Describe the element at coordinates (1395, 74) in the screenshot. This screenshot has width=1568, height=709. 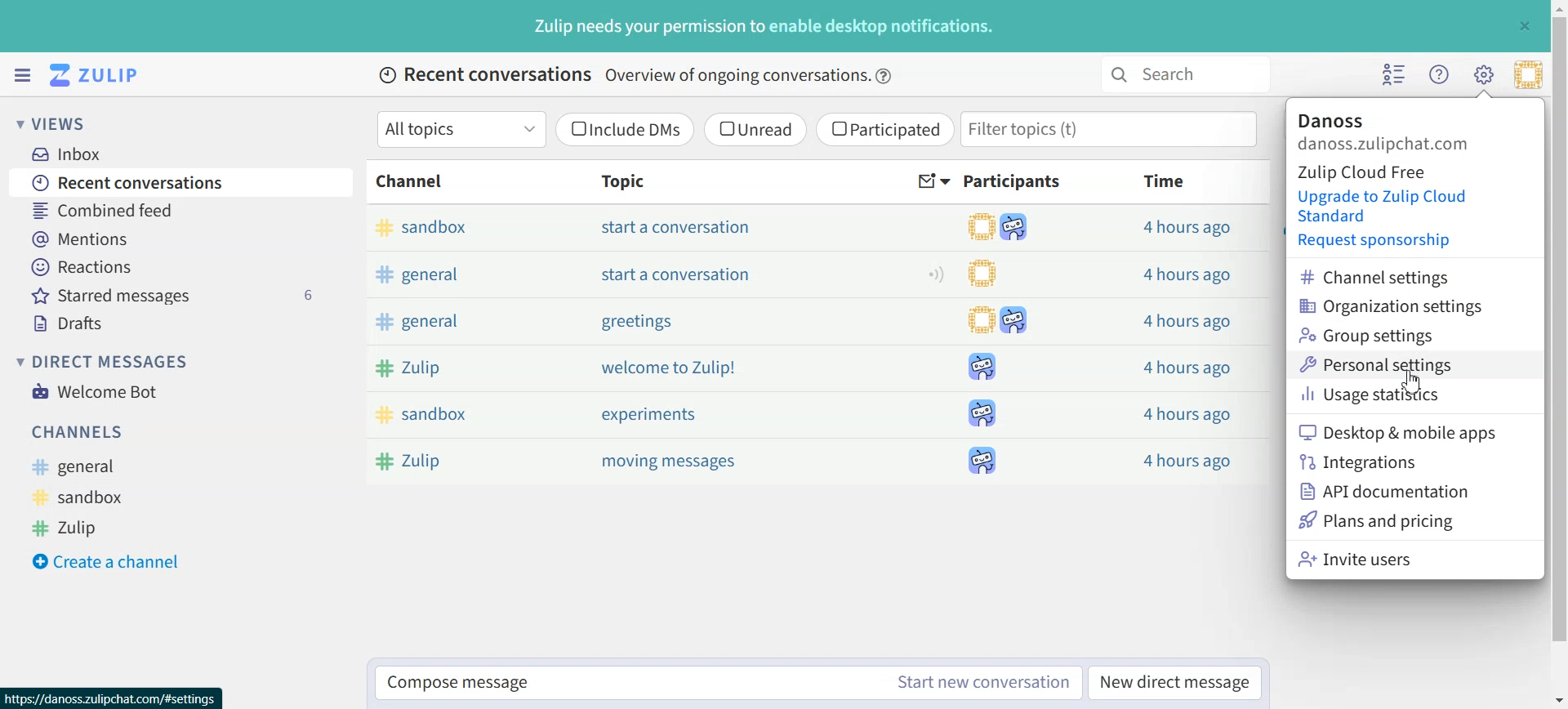
I see `Hide user list` at that location.